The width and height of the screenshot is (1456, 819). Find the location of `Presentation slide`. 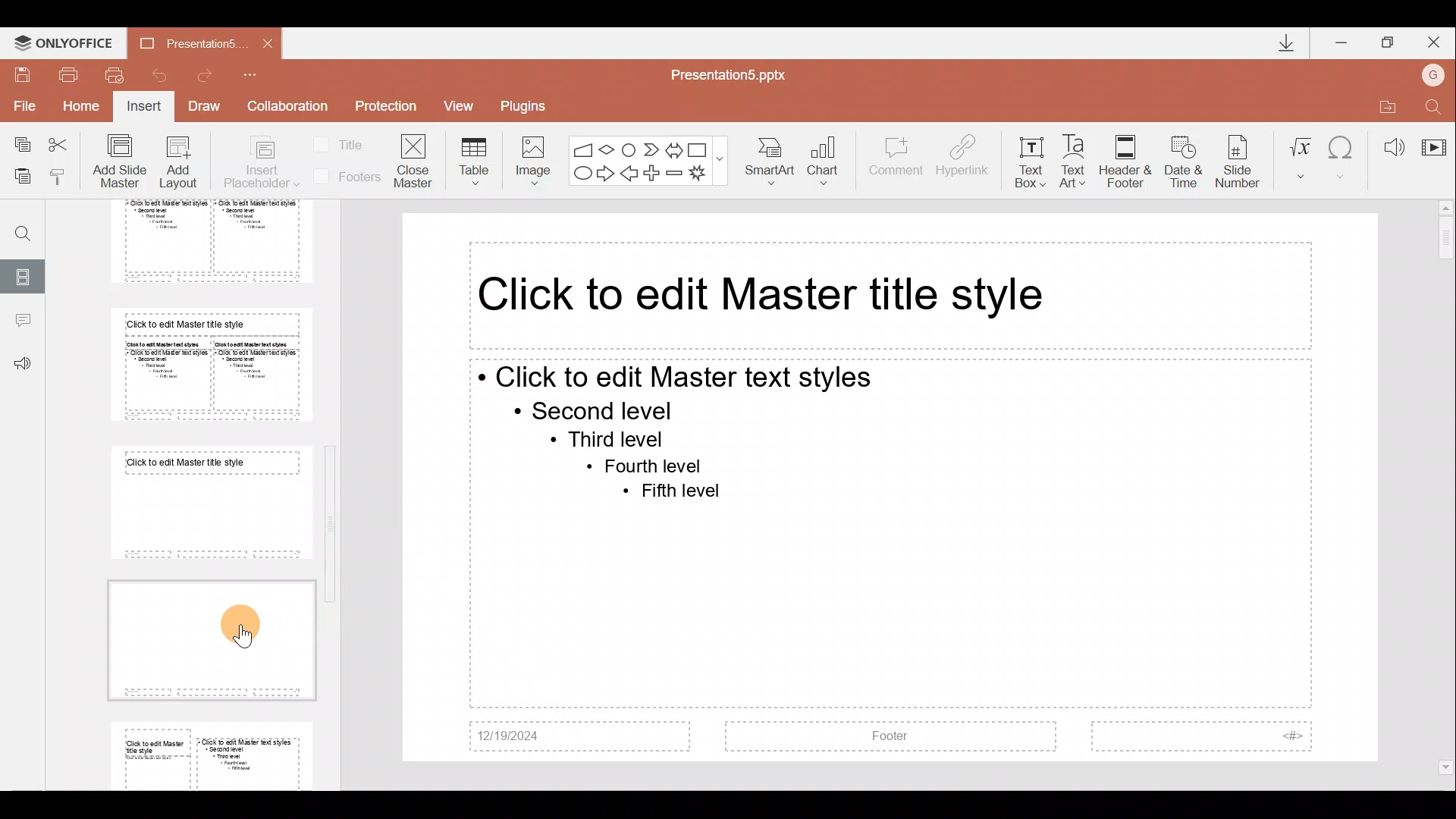

Presentation slide is located at coordinates (892, 488).